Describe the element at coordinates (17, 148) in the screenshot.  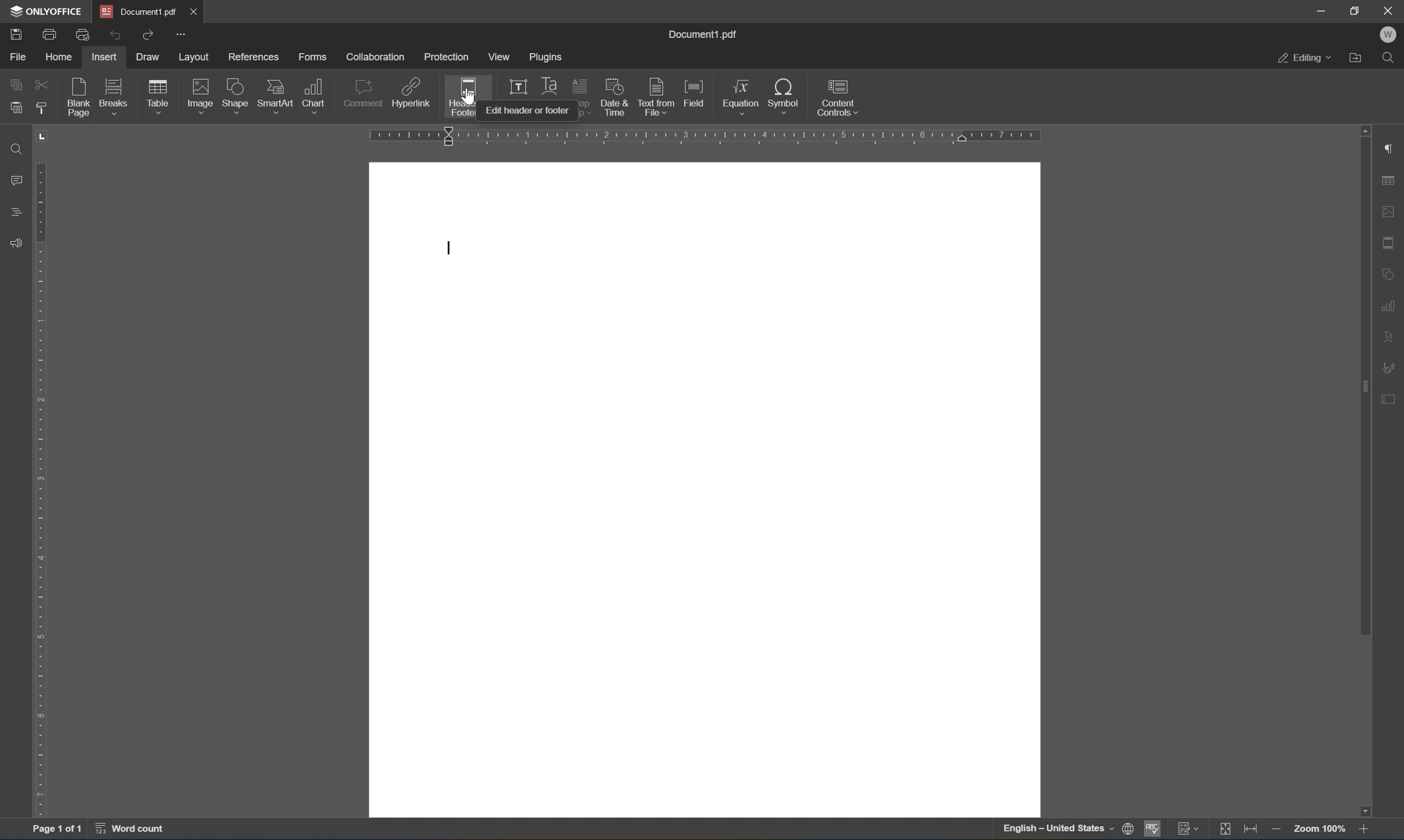
I see `find` at that location.